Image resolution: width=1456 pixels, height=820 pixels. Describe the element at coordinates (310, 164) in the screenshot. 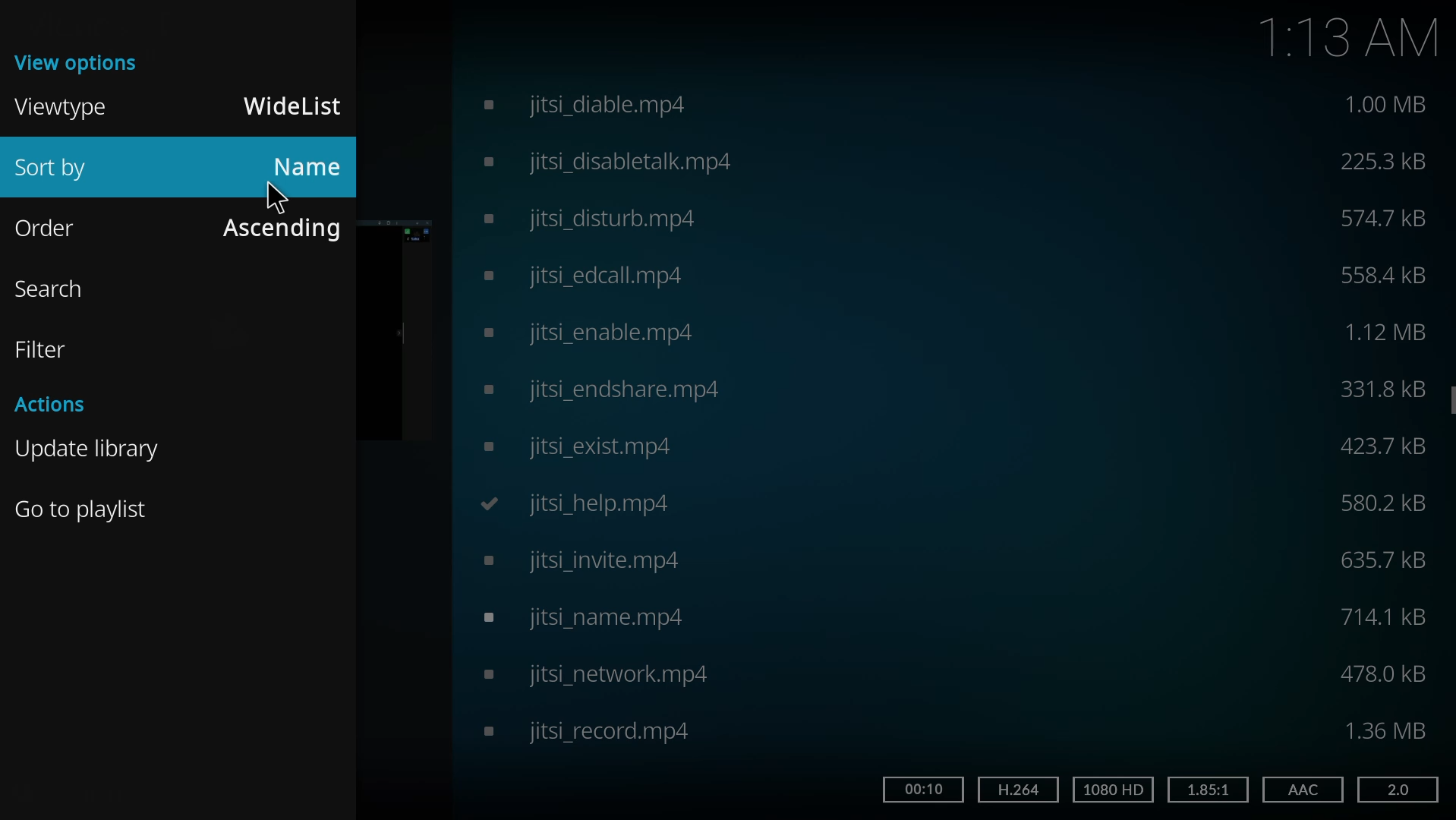

I see `name` at that location.